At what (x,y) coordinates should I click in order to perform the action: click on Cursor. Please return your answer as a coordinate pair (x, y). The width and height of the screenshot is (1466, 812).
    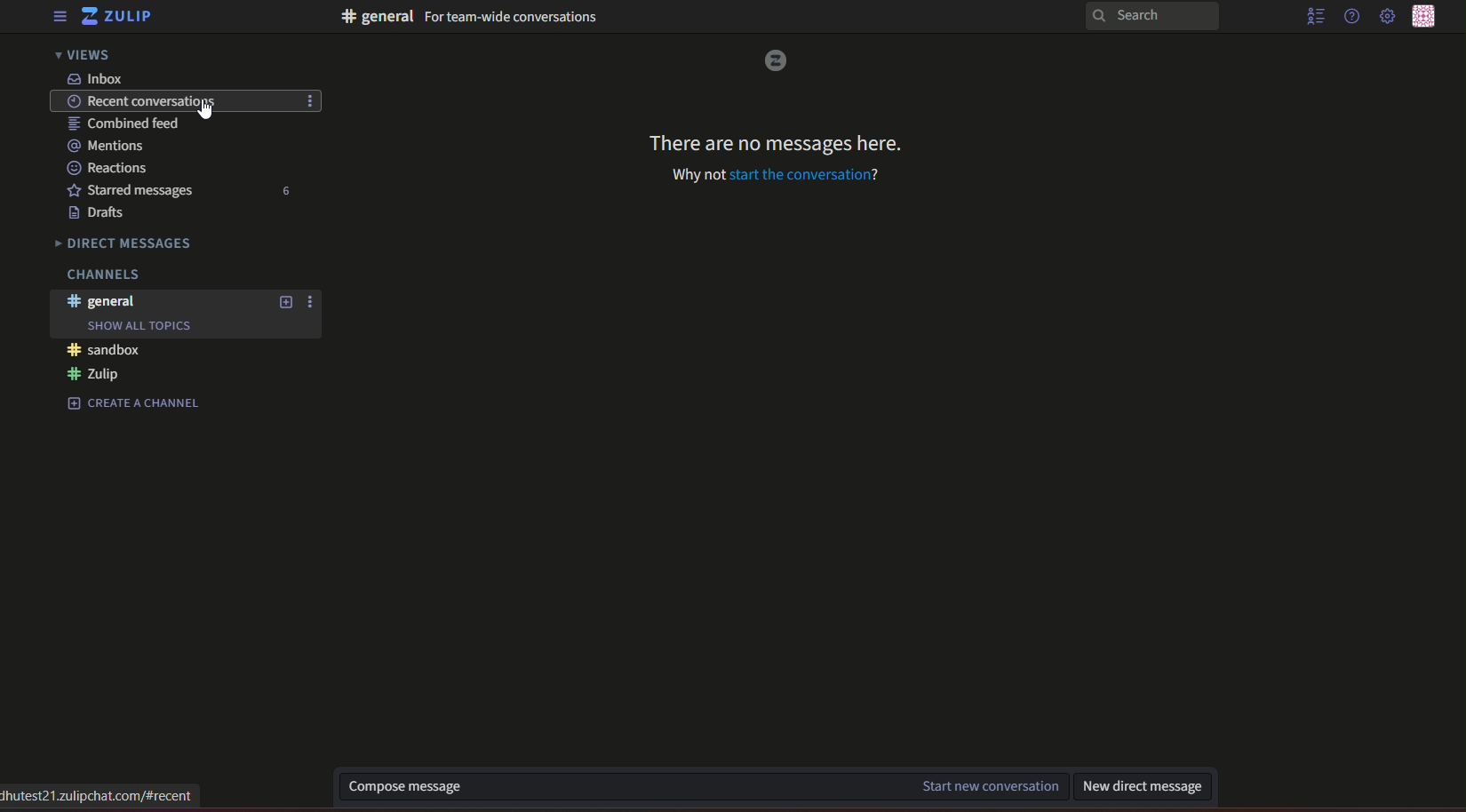
    Looking at the image, I should click on (207, 113).